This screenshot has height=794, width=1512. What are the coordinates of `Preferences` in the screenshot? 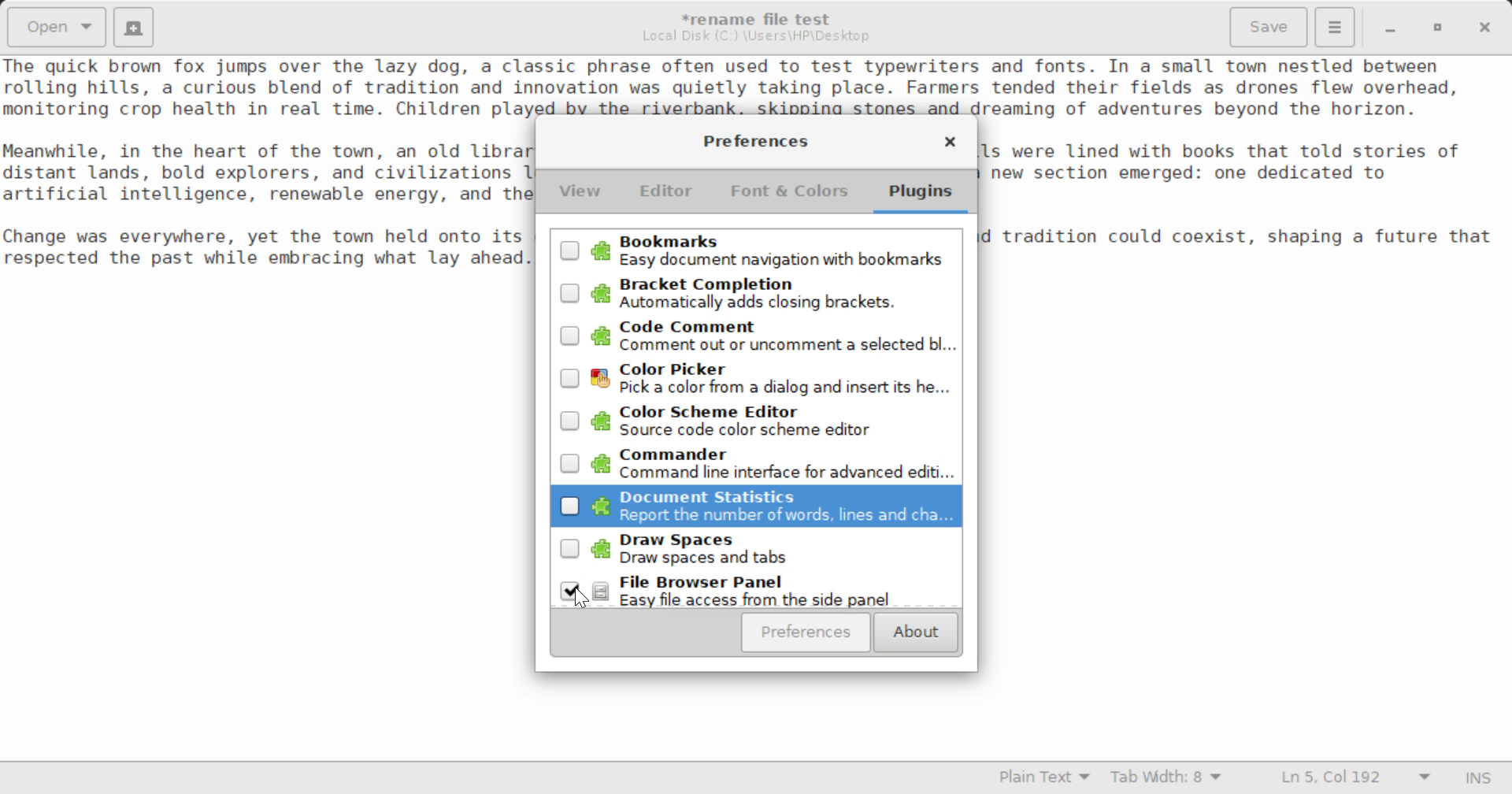 It's located at (806, 633).